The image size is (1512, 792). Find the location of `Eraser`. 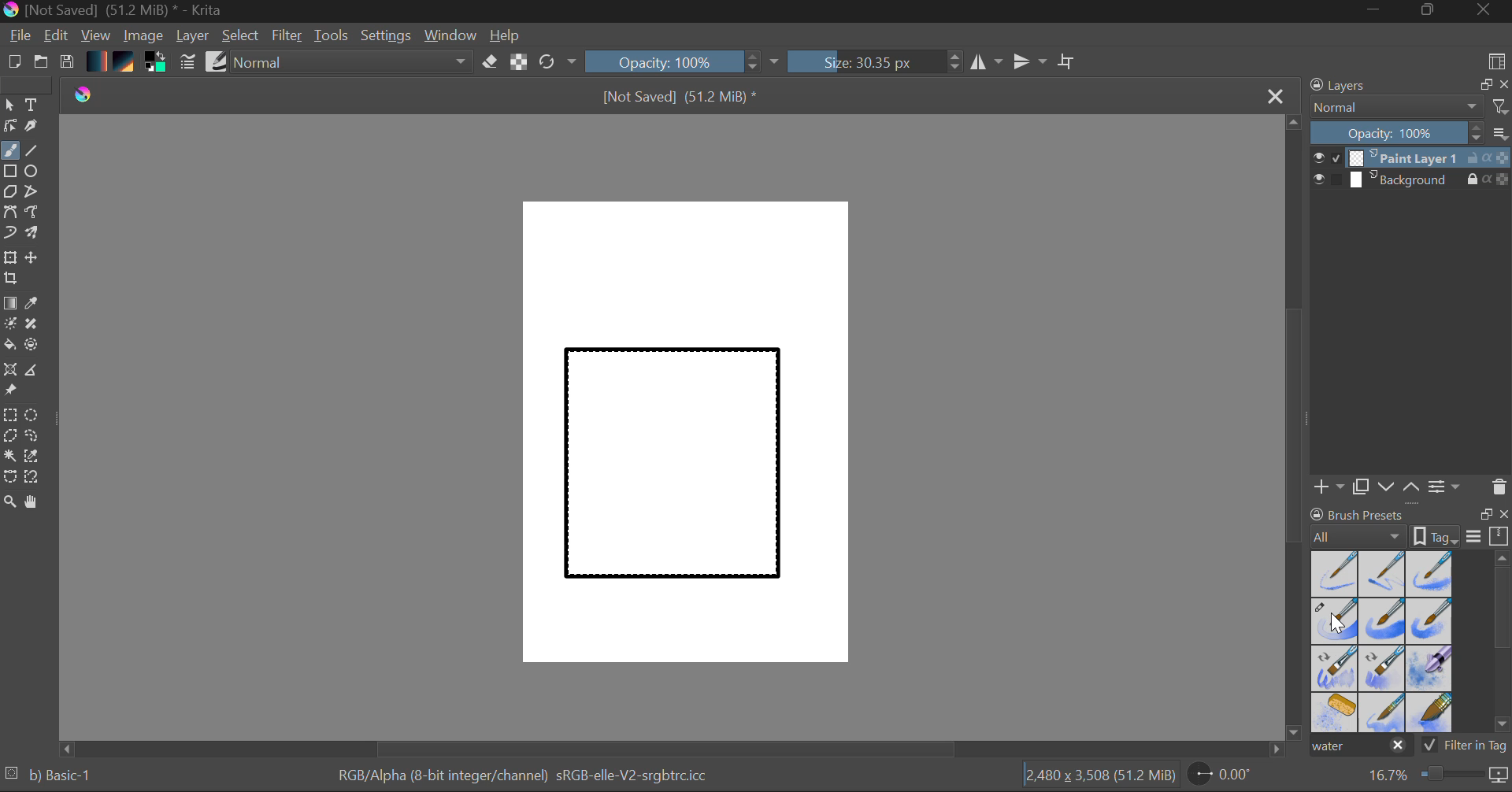

Eraser is located at coordinates (491, 62).